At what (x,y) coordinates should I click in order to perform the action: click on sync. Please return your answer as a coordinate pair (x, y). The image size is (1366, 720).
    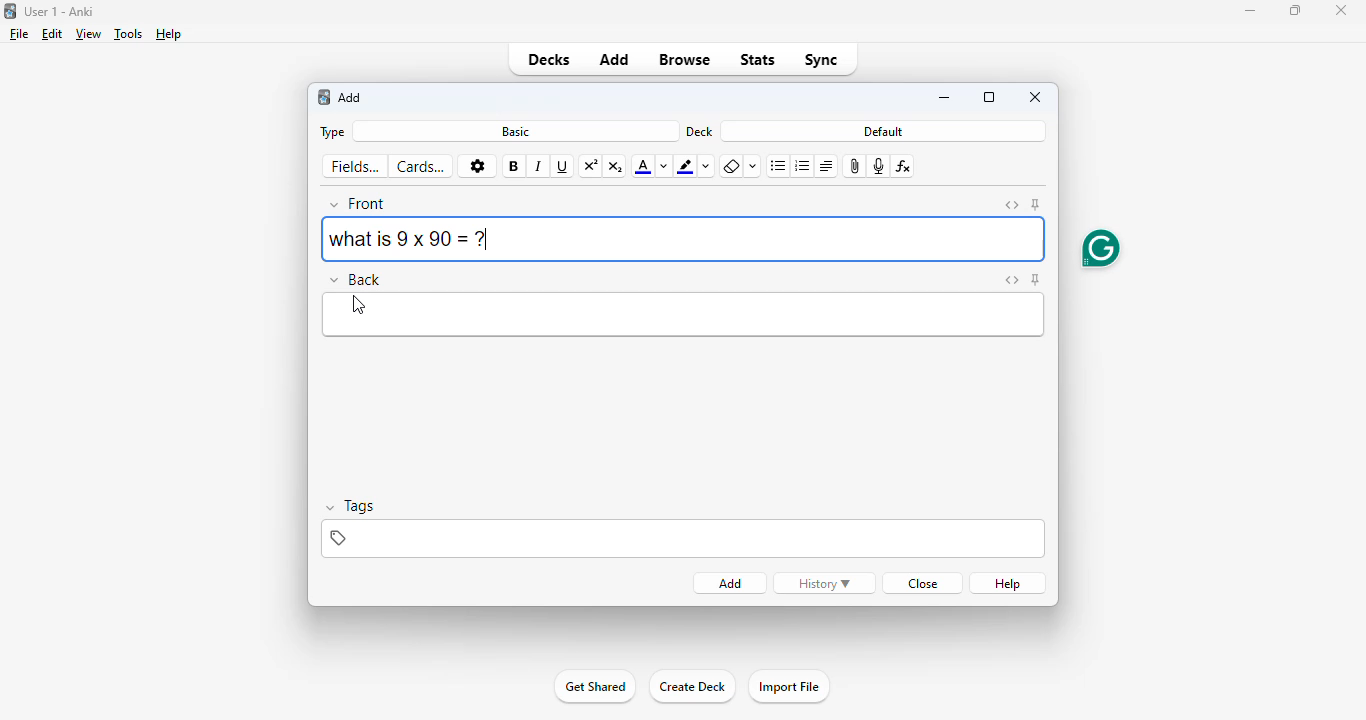
    Looking at the image, I should click on (822, 59).